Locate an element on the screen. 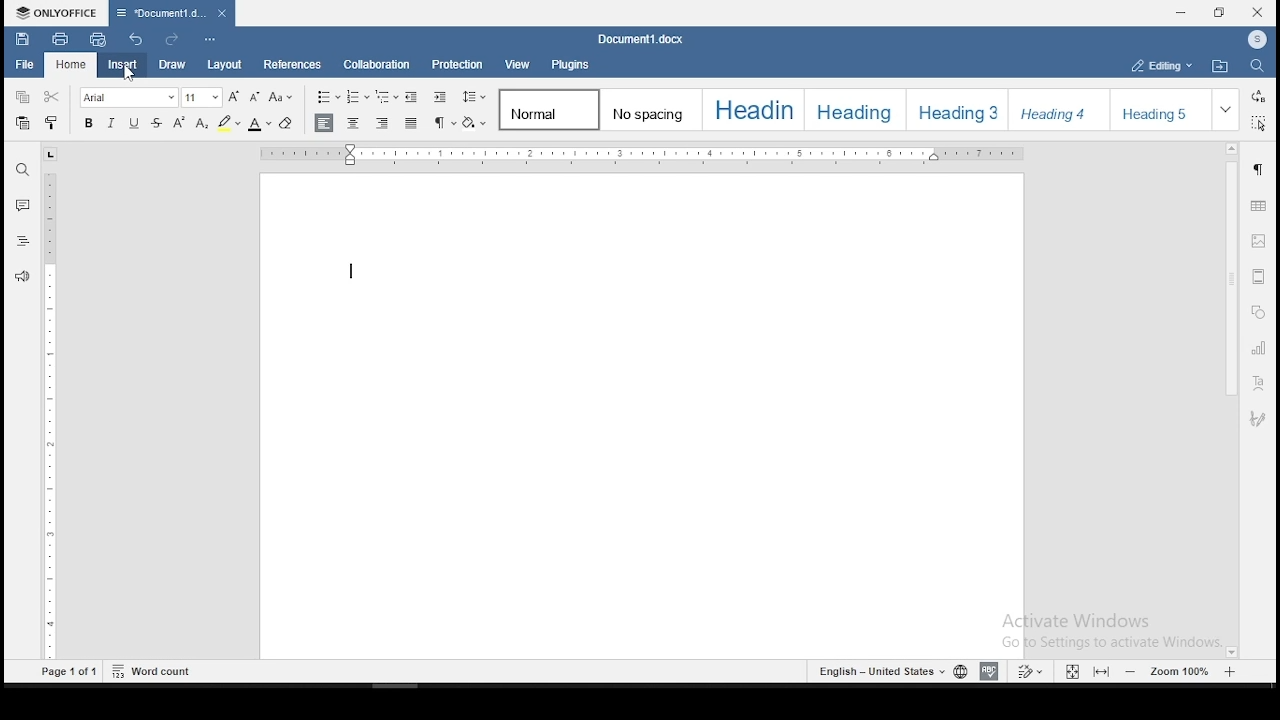  CURSOR is located at coordinates (129, 76).